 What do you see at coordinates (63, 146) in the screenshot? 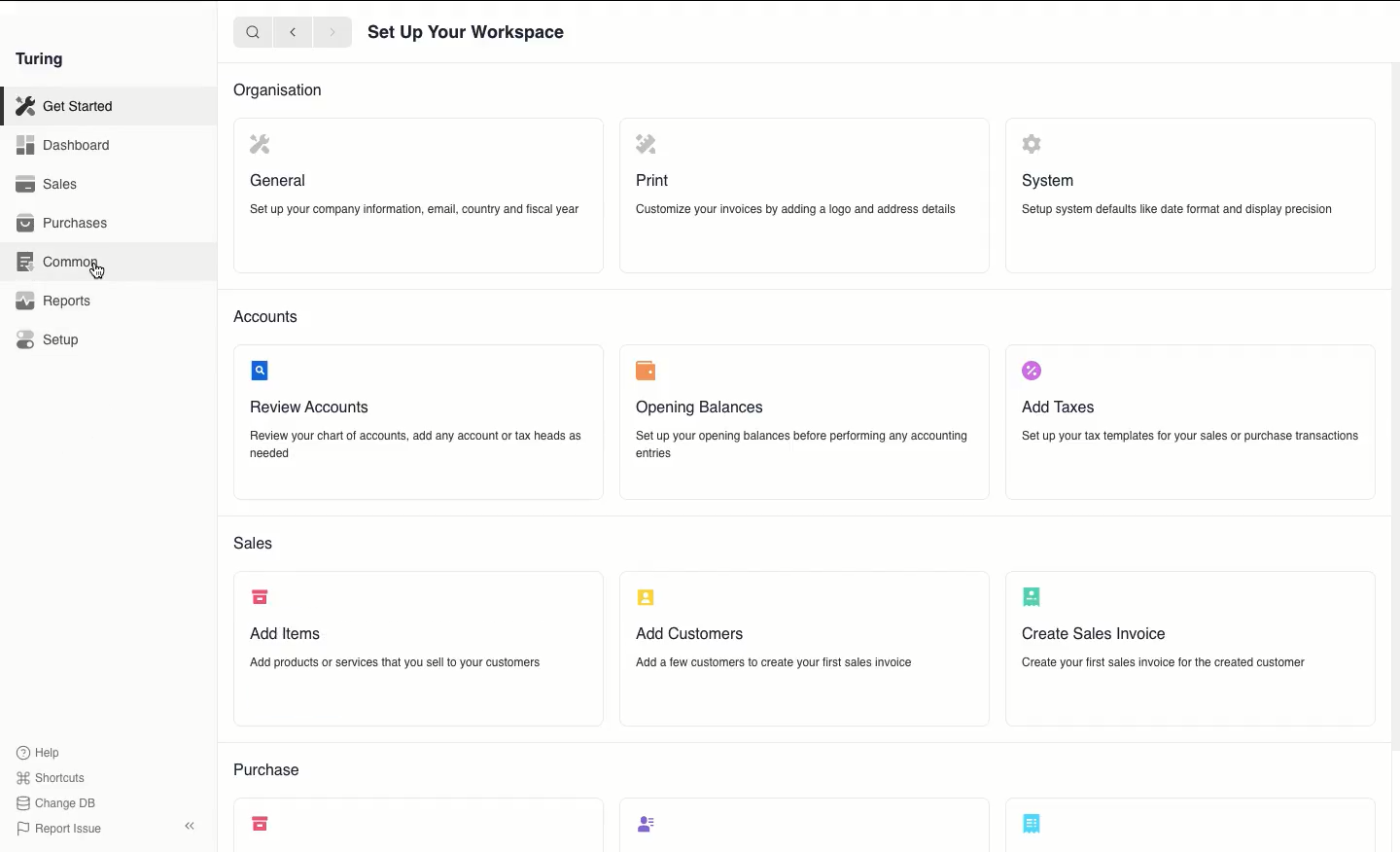
I see `Dashboard` at bounding box center [63, 146].